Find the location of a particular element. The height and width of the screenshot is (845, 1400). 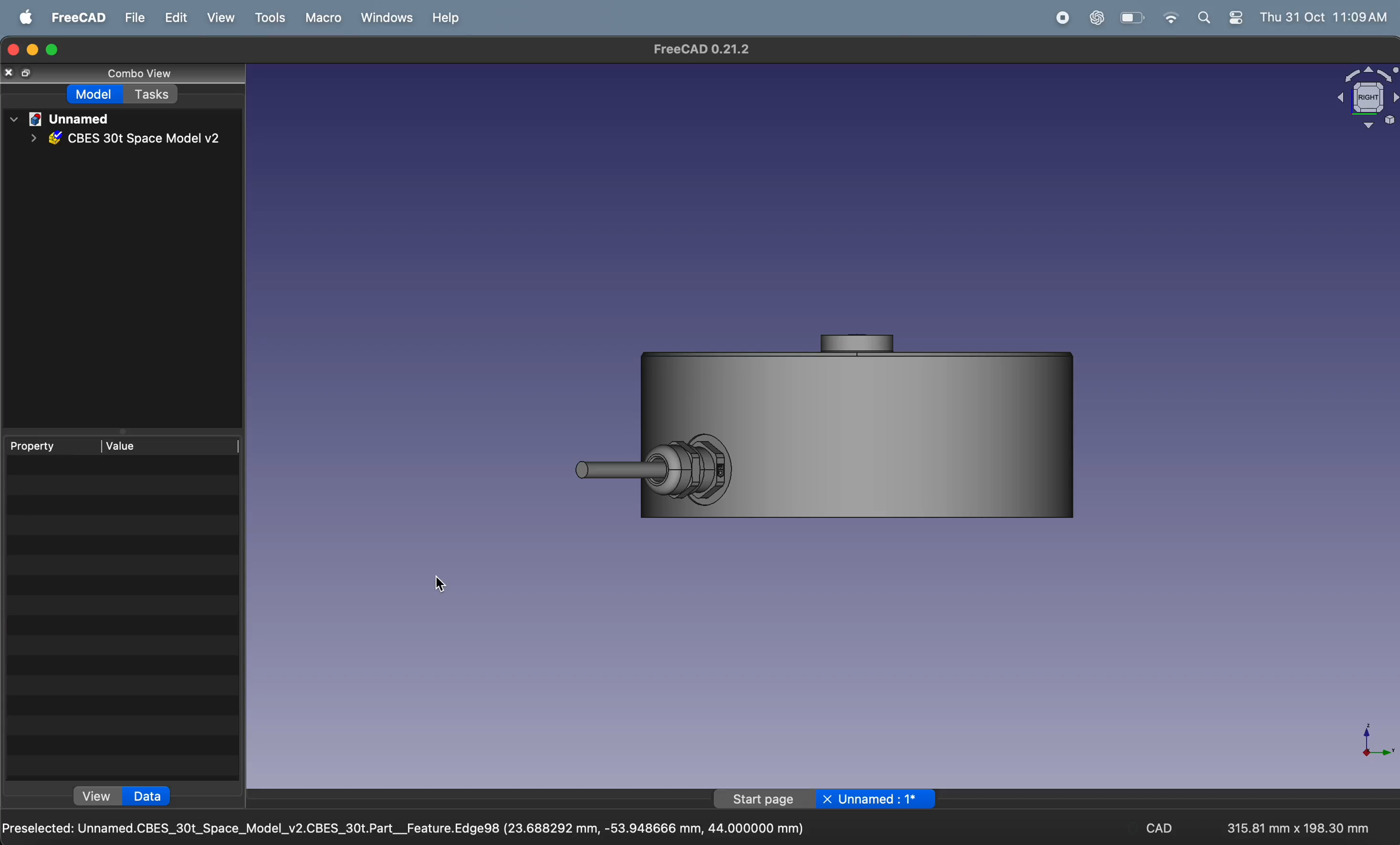

edit is located at coordinates (174, 18).